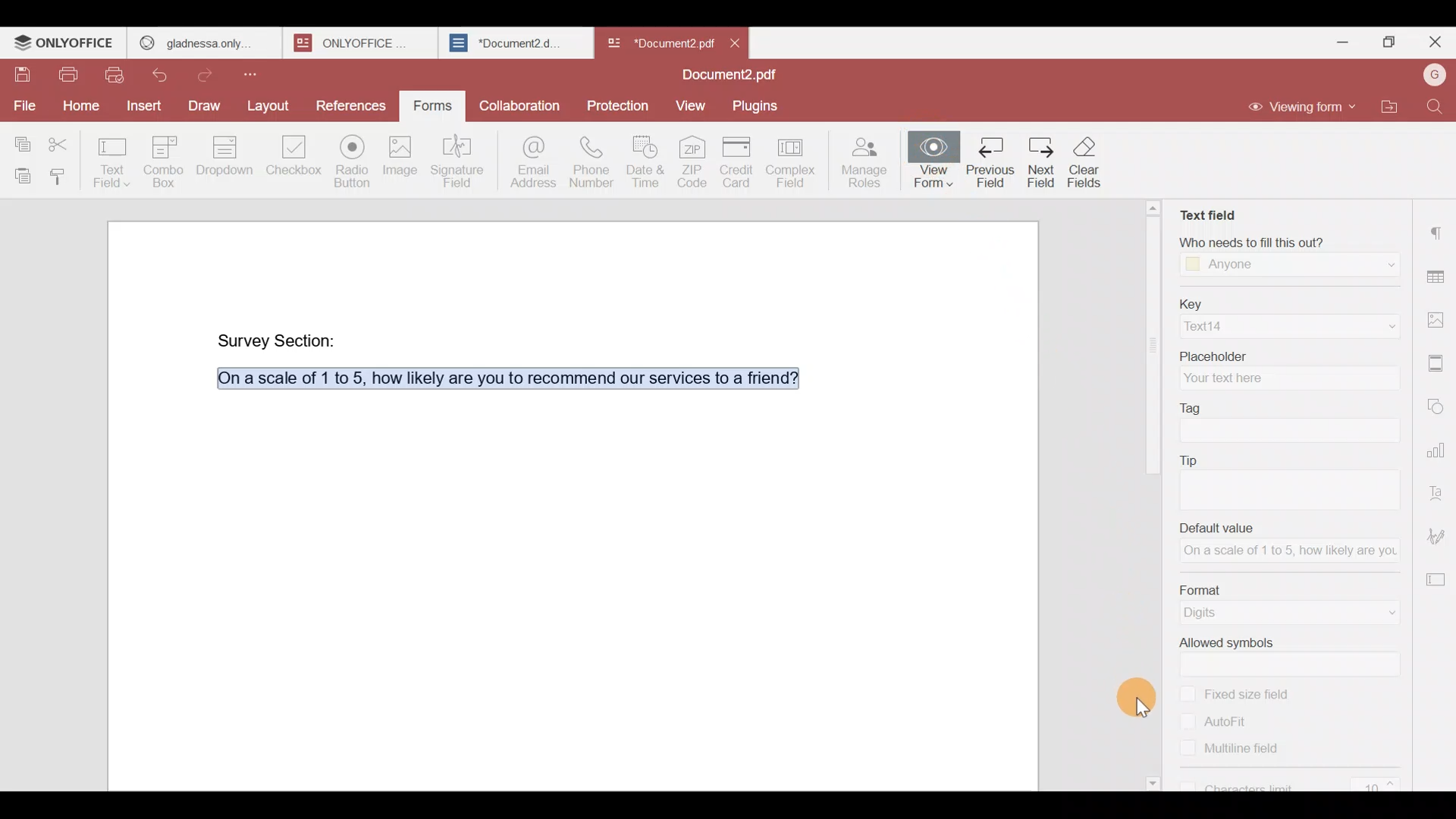 The width and height of the screenshot is (1456, 819). Describe the element at coordinates (1287, 326) in the screenshot. I see `Text14` at that location.